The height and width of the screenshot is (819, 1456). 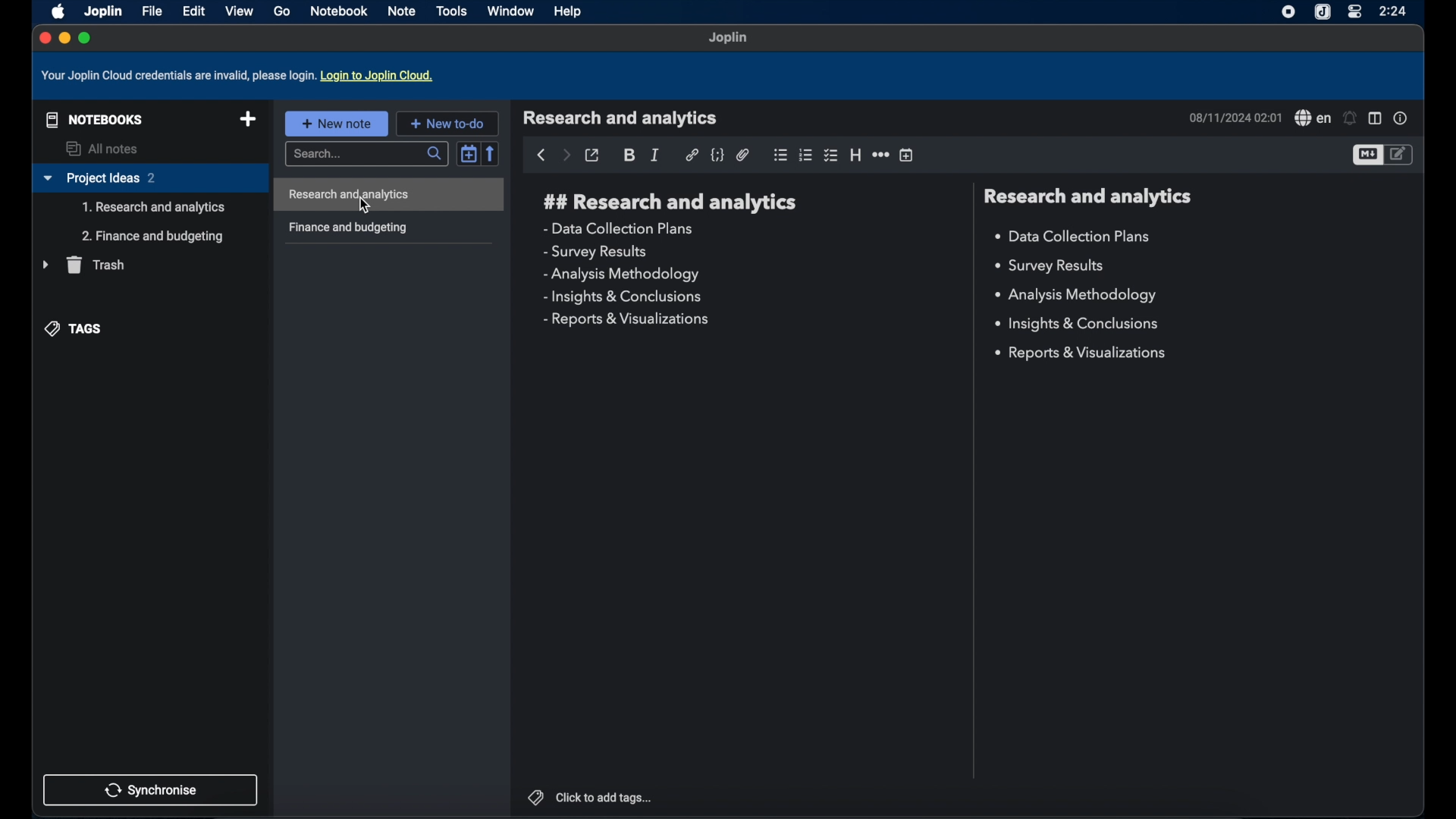 I want to click on apple icon, so click(x=55, y=11).